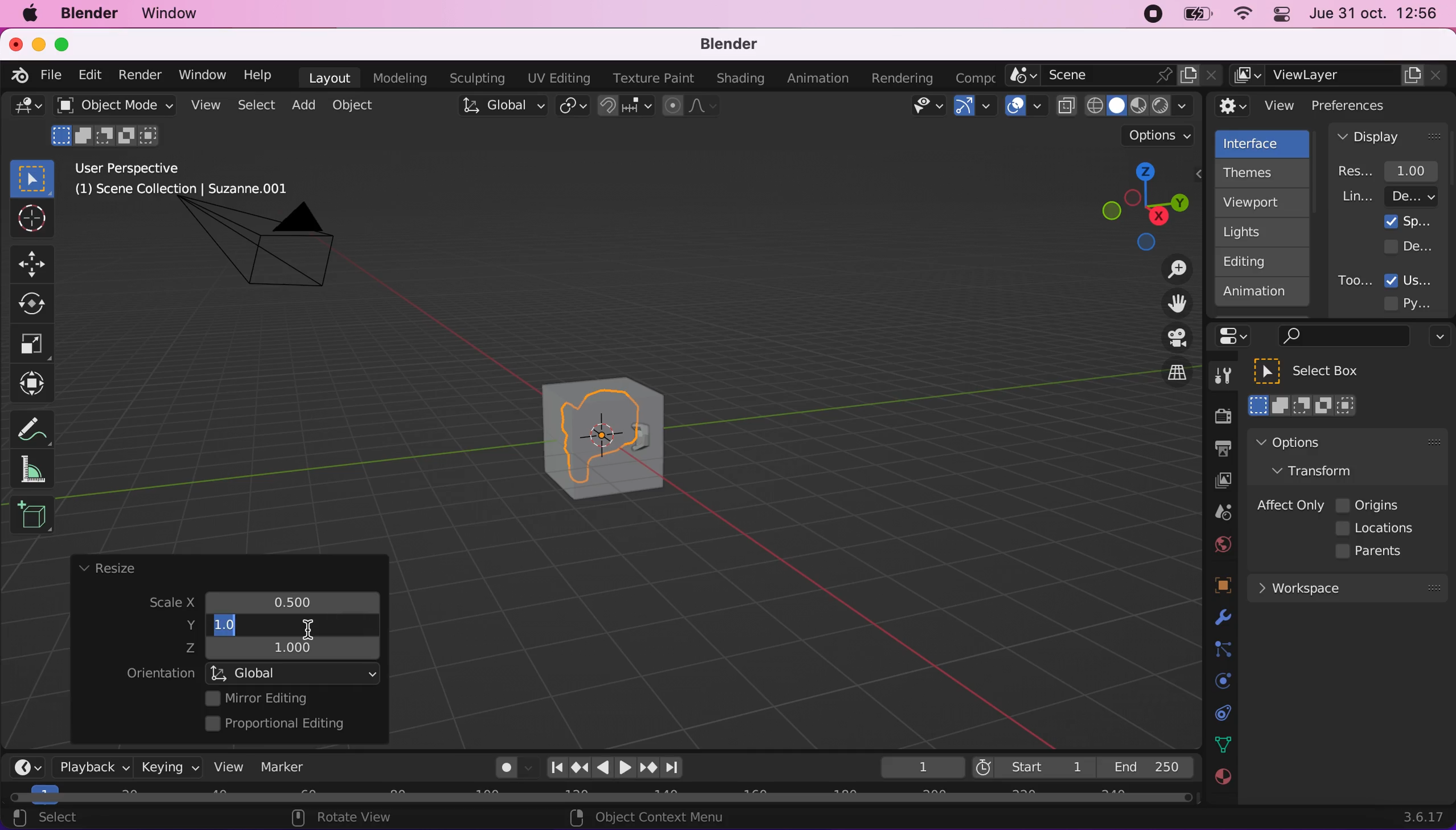 The width and height of the screenshot is (1456, 830). I want to click on animation, so click(1263, 295).